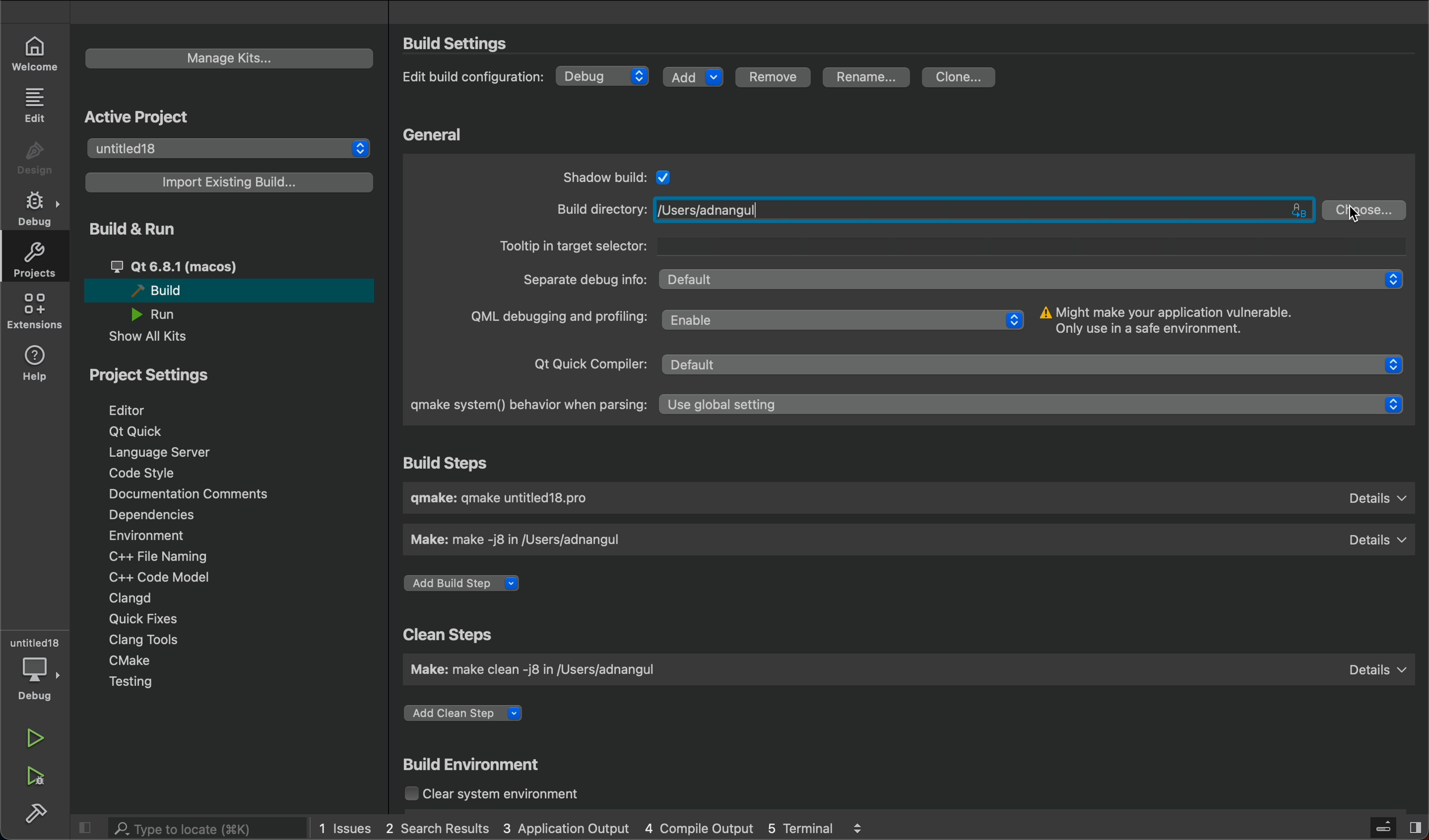 This screenshot has width=1429, height=840. I want to click on welcome, so click(35, 50).